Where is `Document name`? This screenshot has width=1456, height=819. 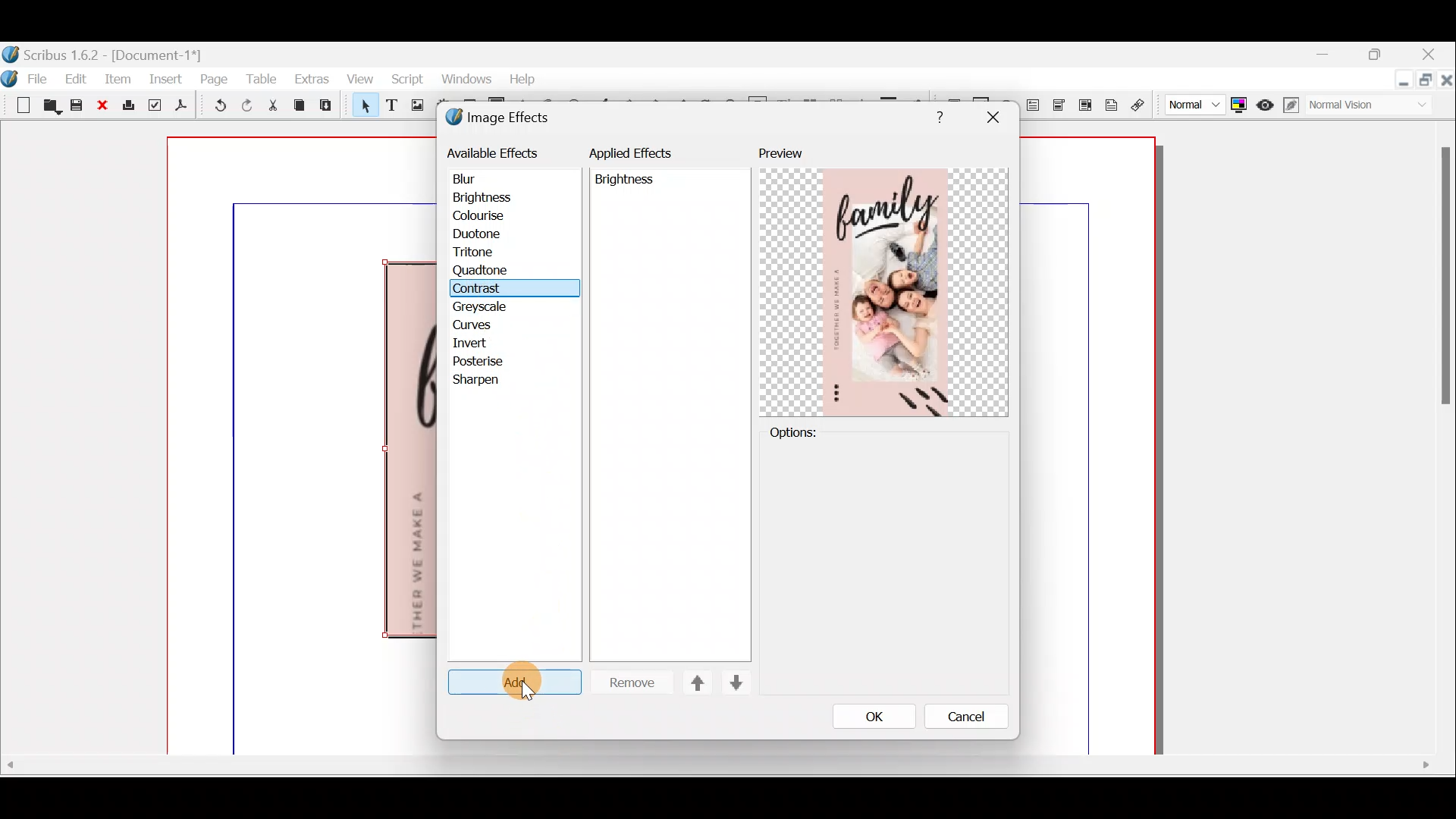 Document name is located at coordinates (104, 53).